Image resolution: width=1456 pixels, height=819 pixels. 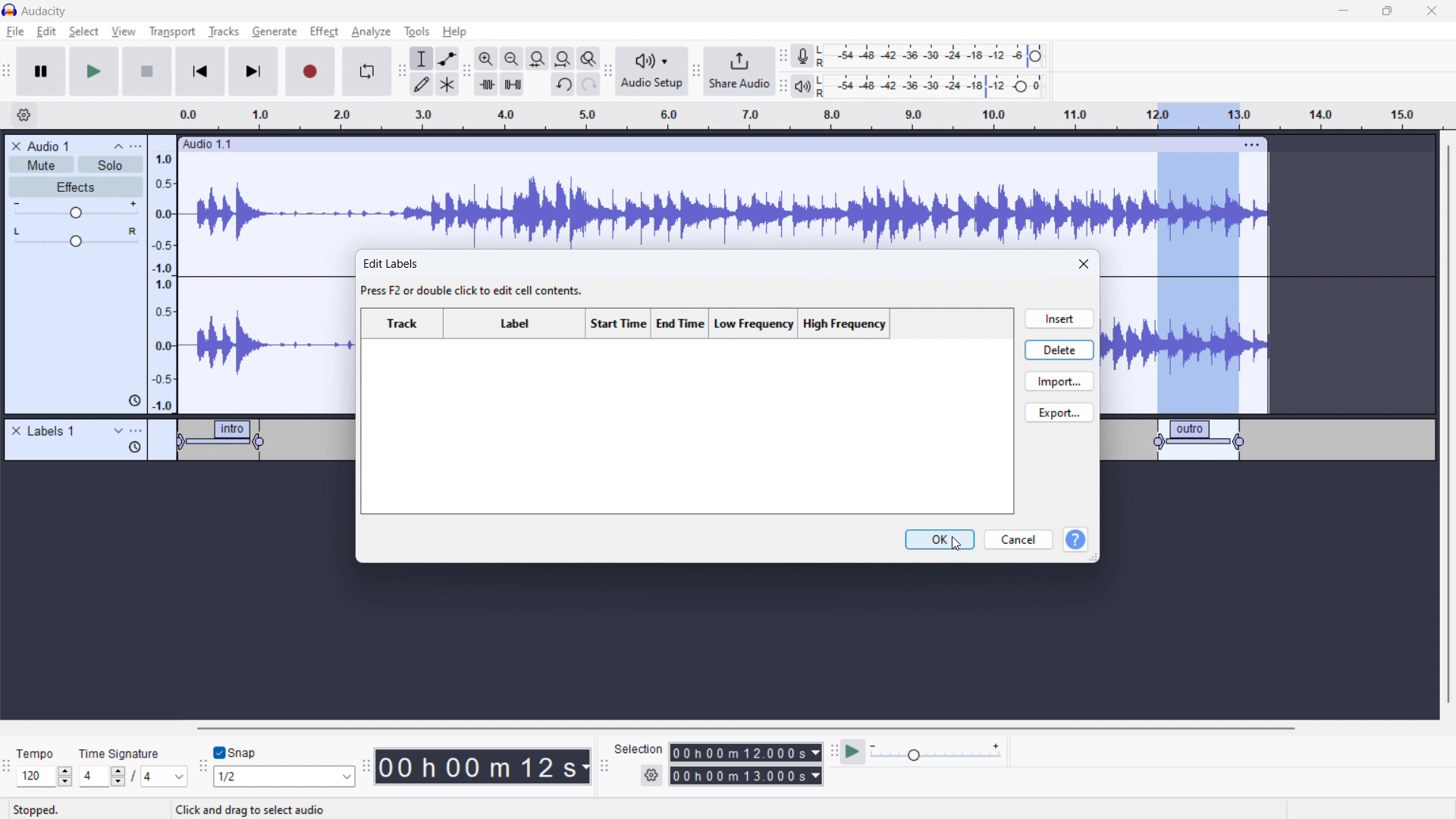 What do you see at coordinates (402, 71) in the screenshot?
I see `tools toolbar` at bounding box center [402, 71].